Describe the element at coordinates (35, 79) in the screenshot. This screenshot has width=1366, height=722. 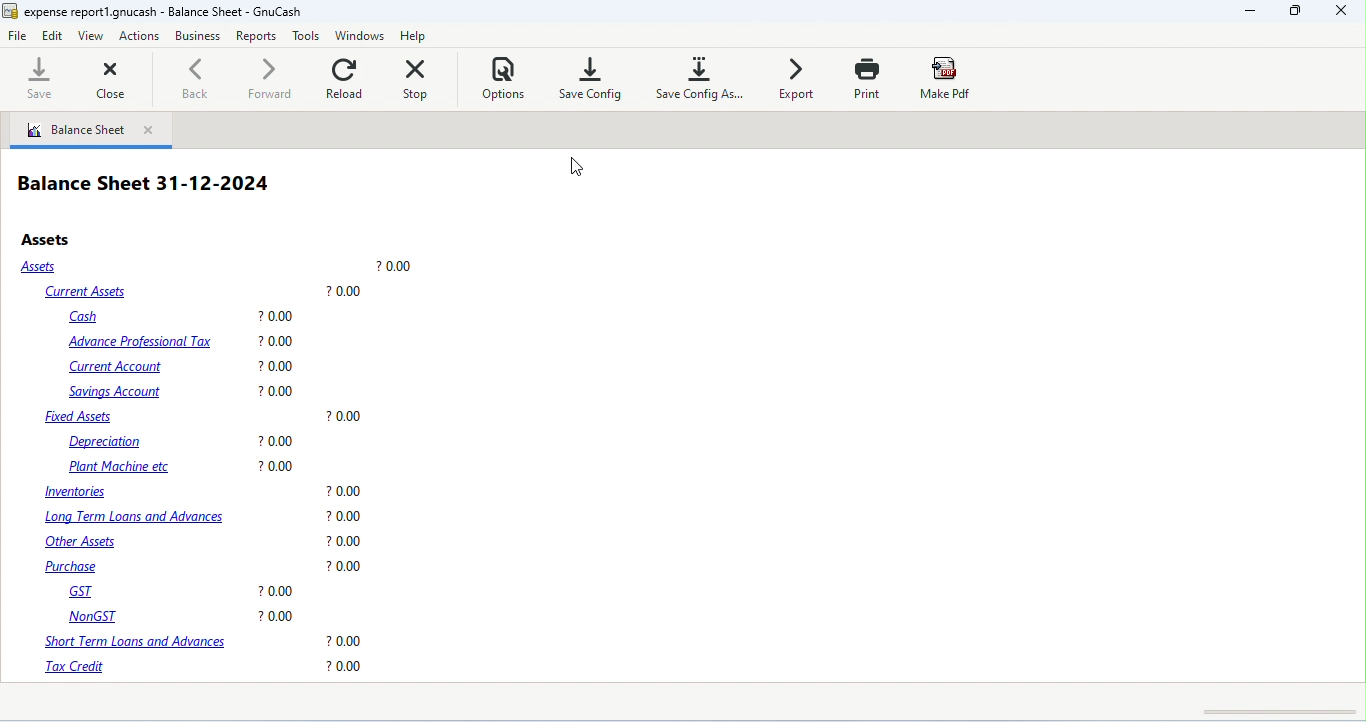
I see `save` at that location.